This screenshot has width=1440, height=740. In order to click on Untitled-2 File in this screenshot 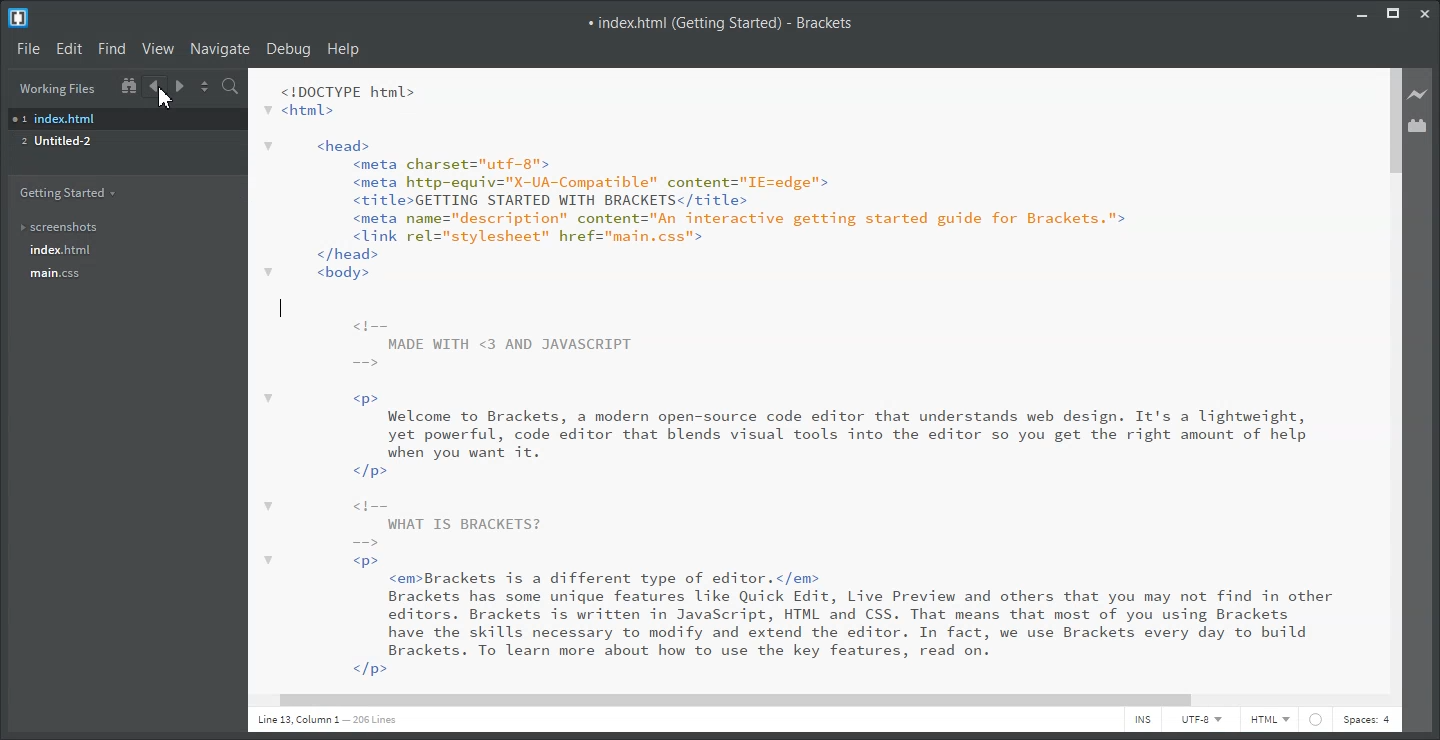, I will do `click(125, 141)`.